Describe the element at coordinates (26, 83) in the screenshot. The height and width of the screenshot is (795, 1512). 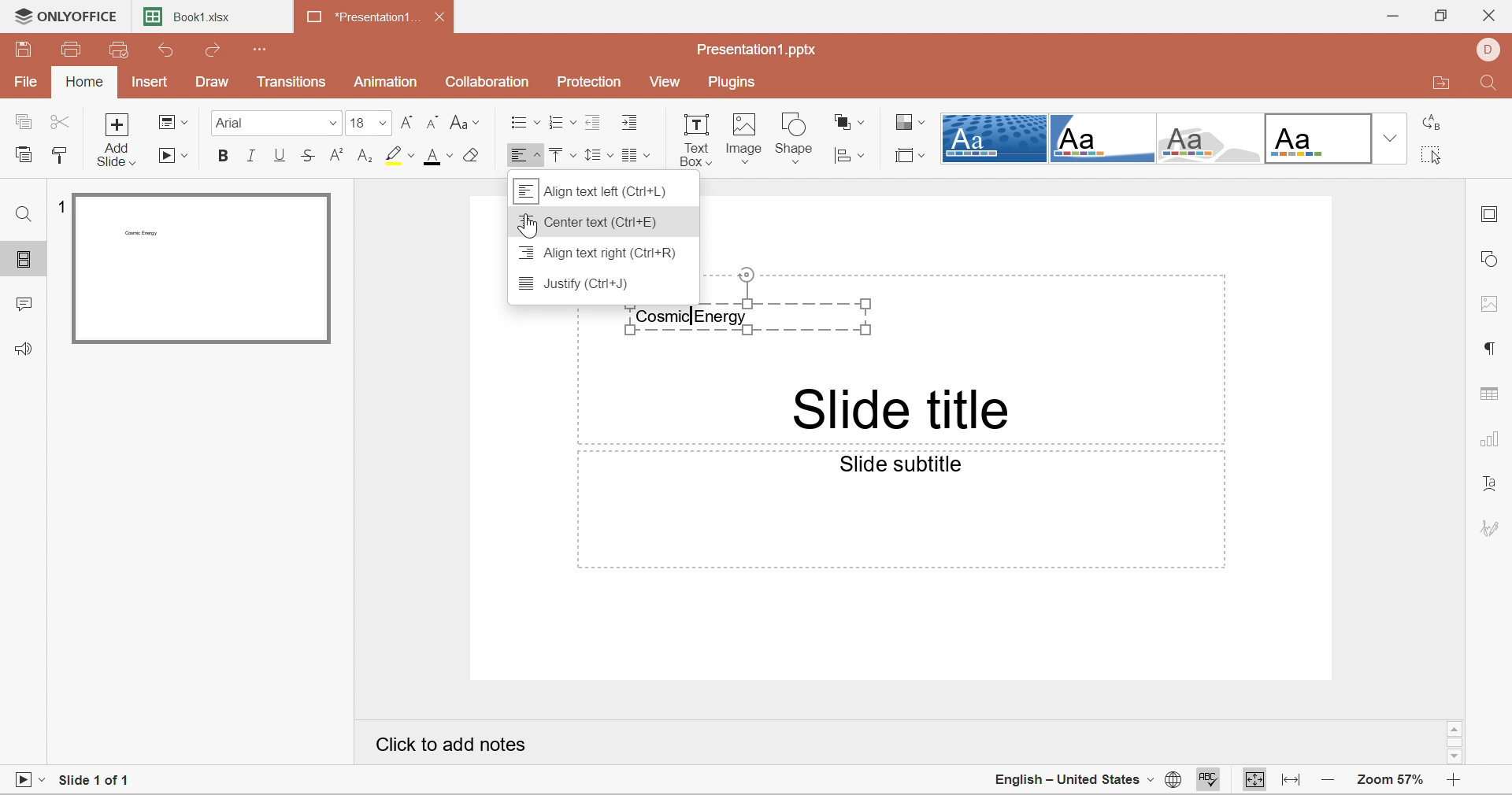
I see `File` at that location.